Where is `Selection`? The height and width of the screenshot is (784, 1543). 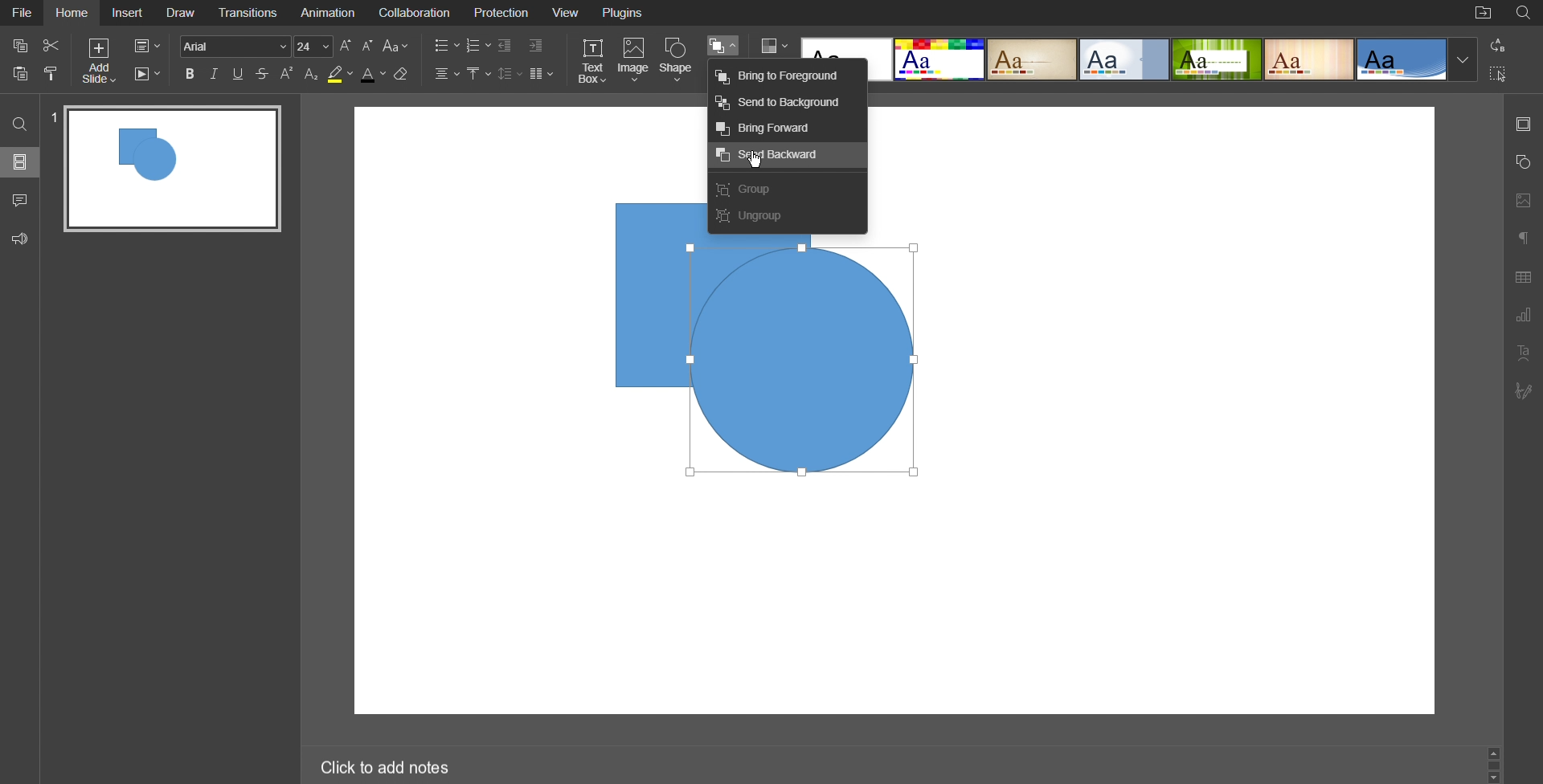 Selection is located at coordinates (1498, 74).